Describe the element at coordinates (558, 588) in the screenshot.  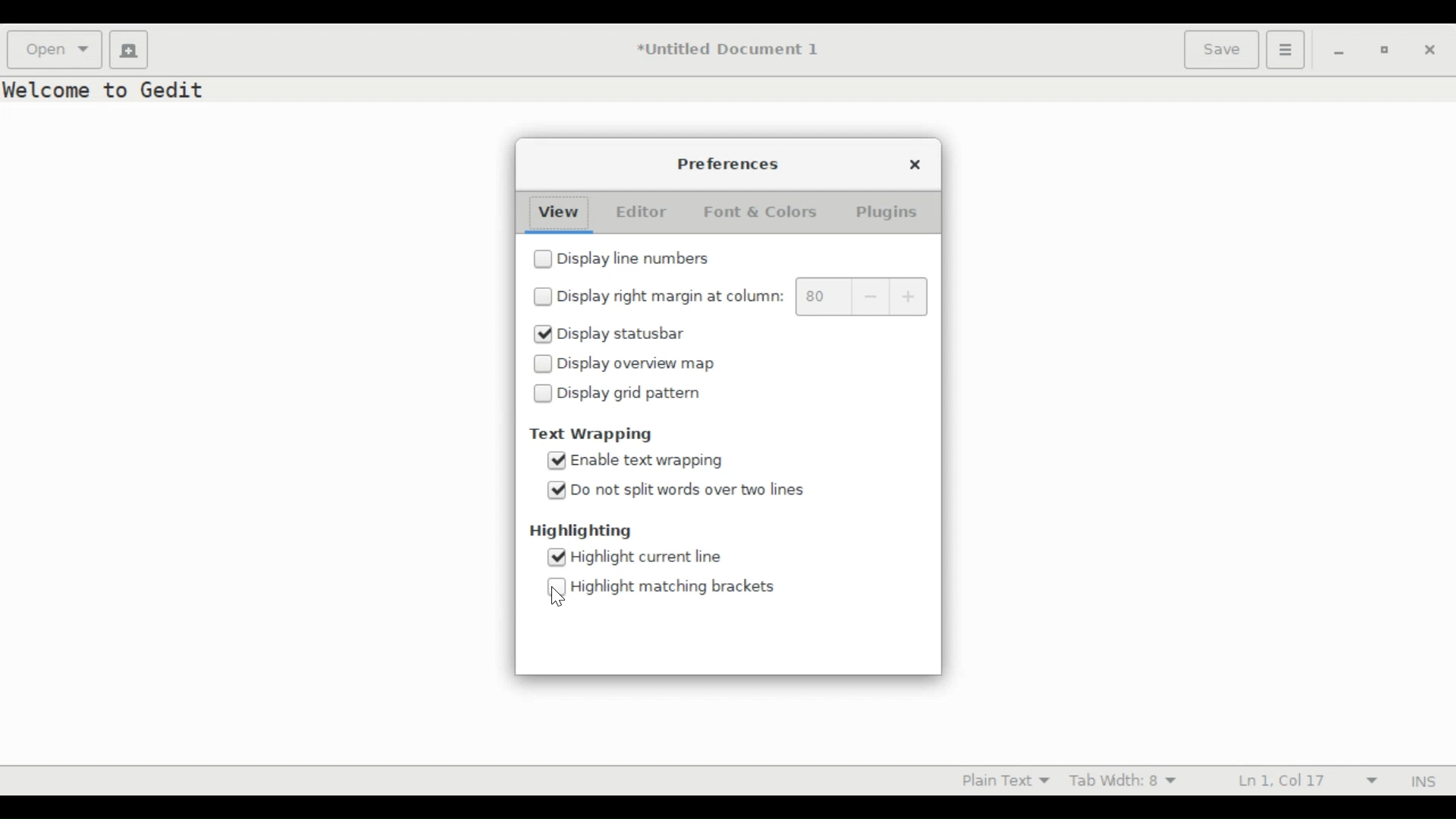
I see `checkbox` at that location.